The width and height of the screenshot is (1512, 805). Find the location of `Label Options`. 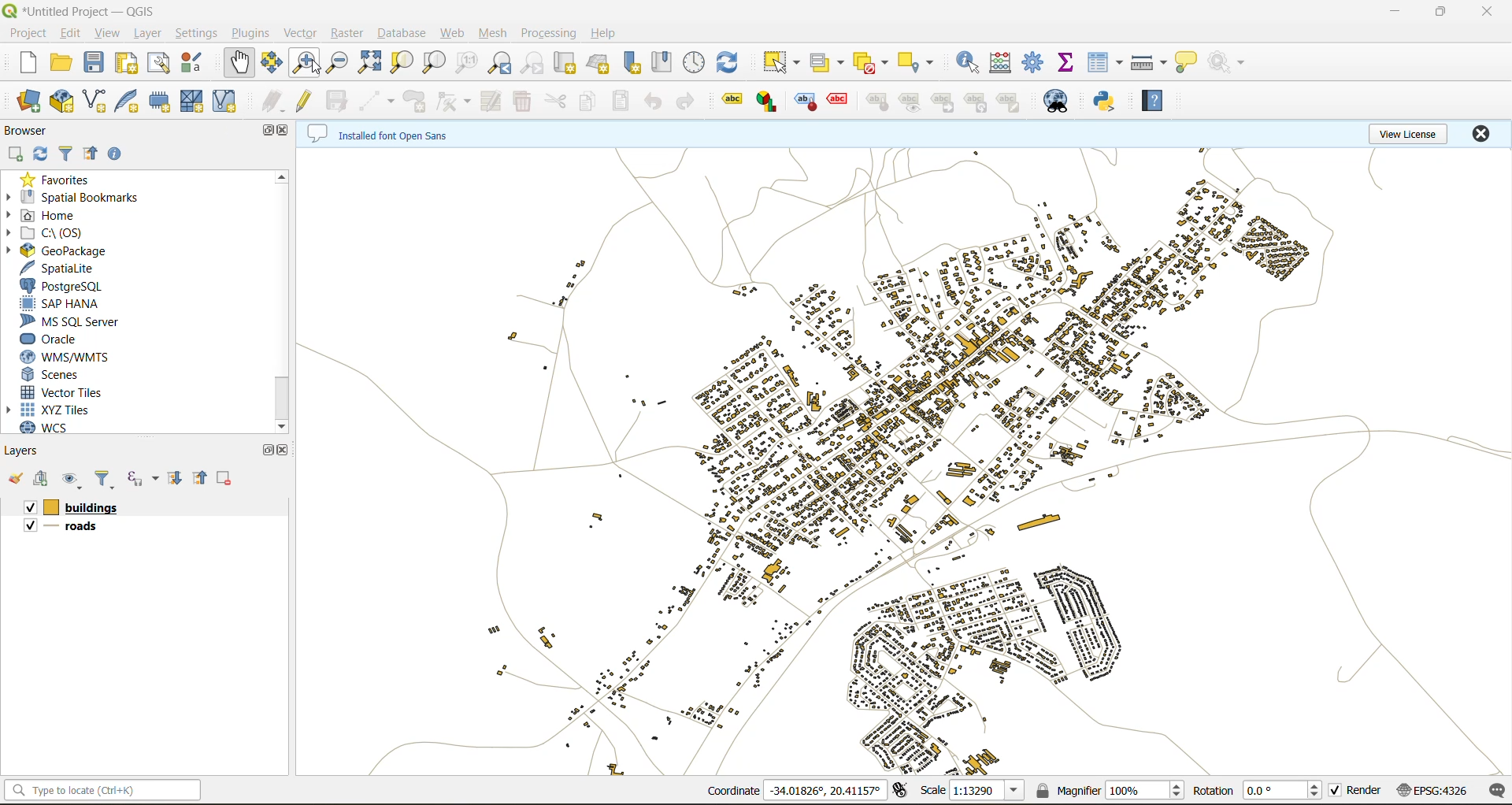

Label Options is located at coordinates (730, 101).